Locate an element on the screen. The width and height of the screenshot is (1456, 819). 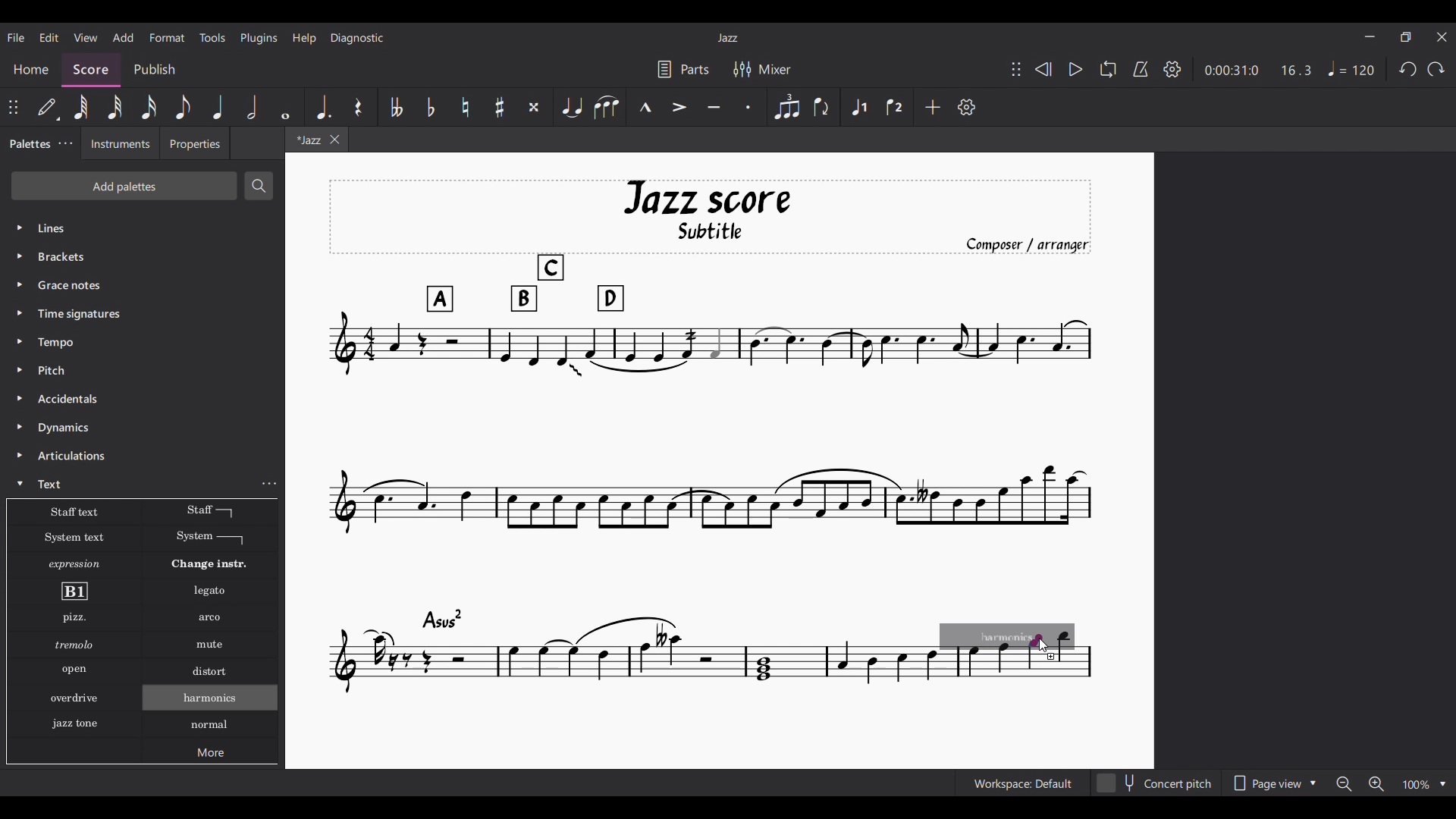
Toggle natural is located at coordinates (466, 107).